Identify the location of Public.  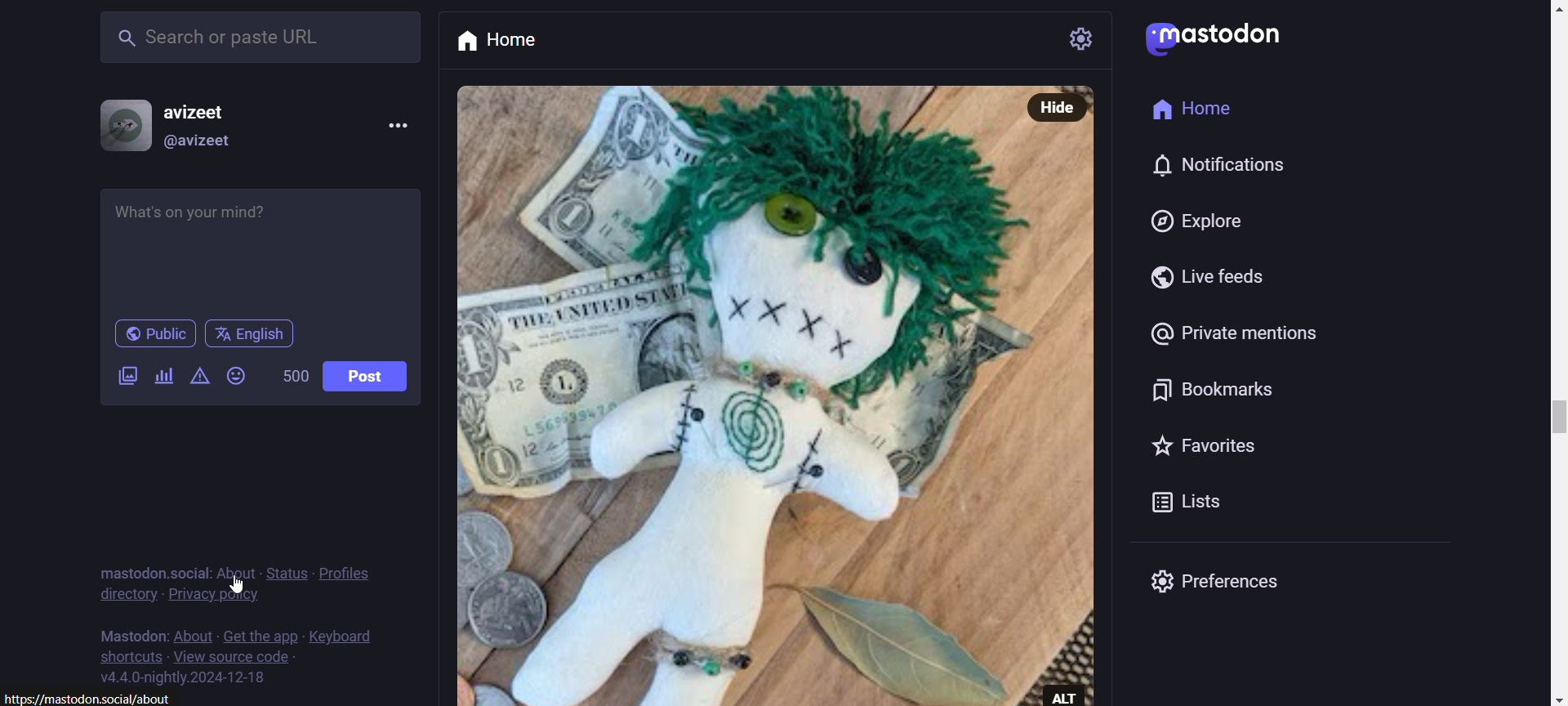
(155, 334).